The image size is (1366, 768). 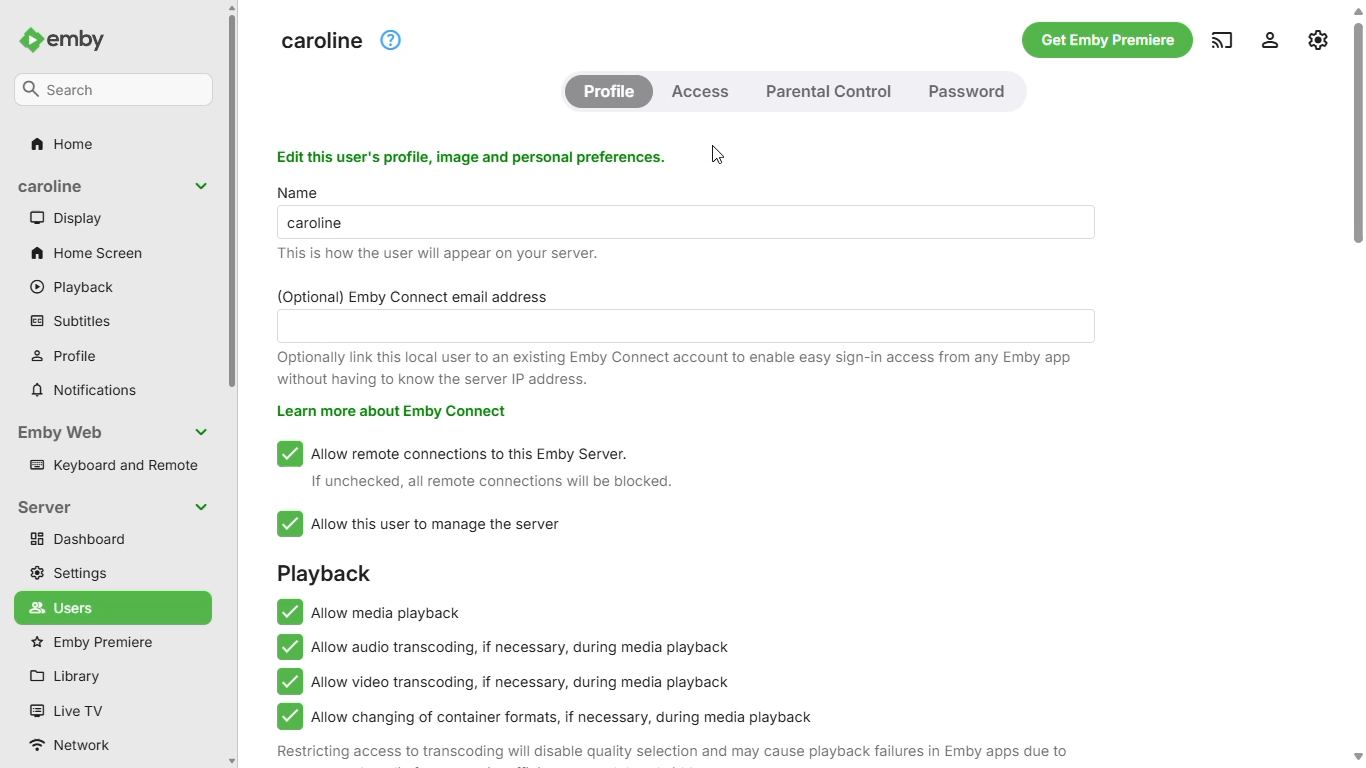 I want to click on if unchecked, all remote connections will be blocked., so click(x=491, y=481).